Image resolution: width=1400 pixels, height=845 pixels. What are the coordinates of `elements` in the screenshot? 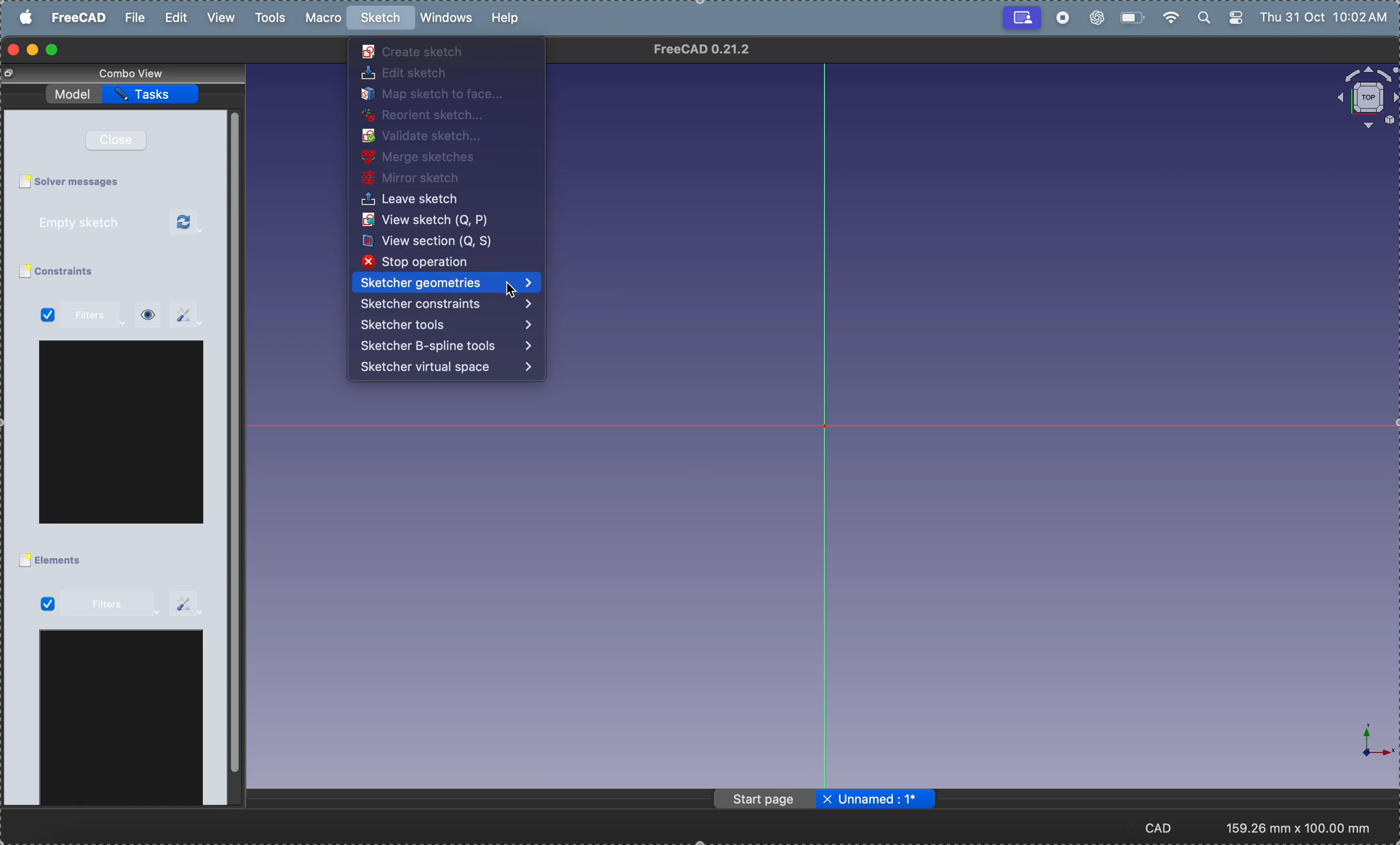 It's located at (63, 561).